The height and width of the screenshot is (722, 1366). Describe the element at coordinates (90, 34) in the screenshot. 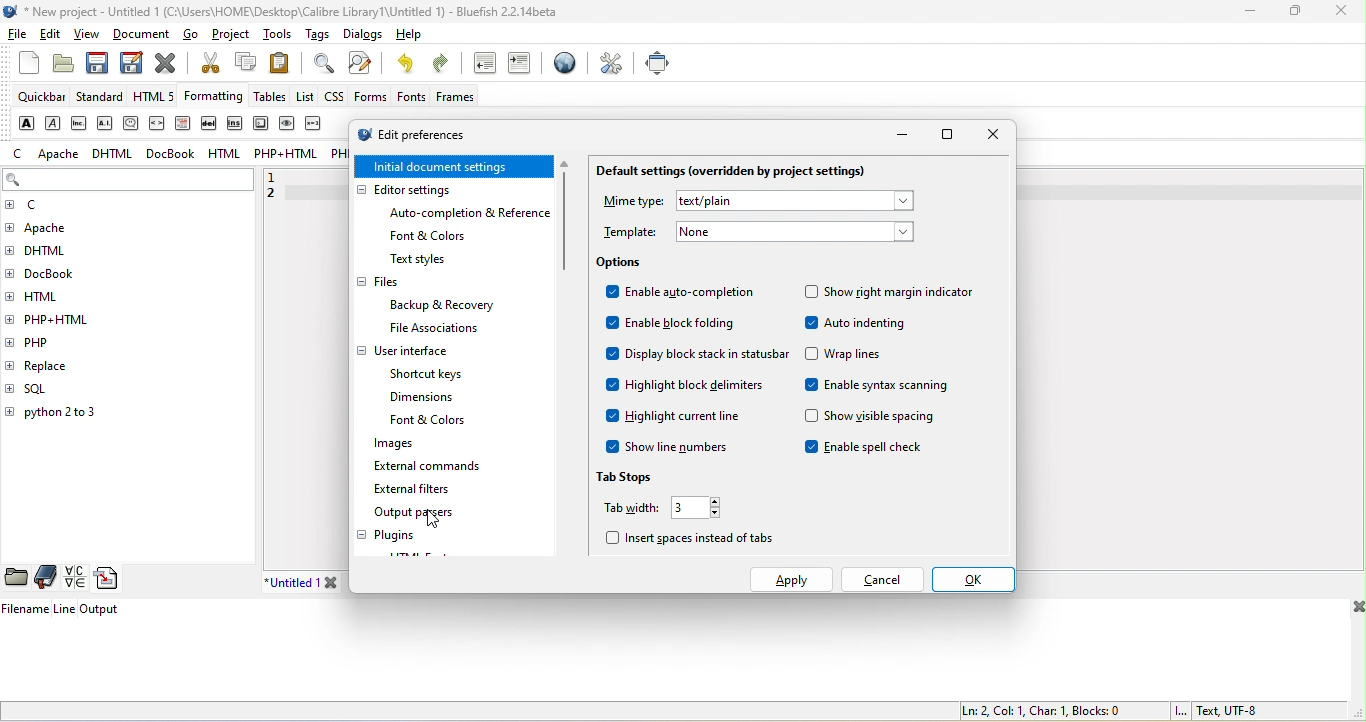

I see `view` at that location.